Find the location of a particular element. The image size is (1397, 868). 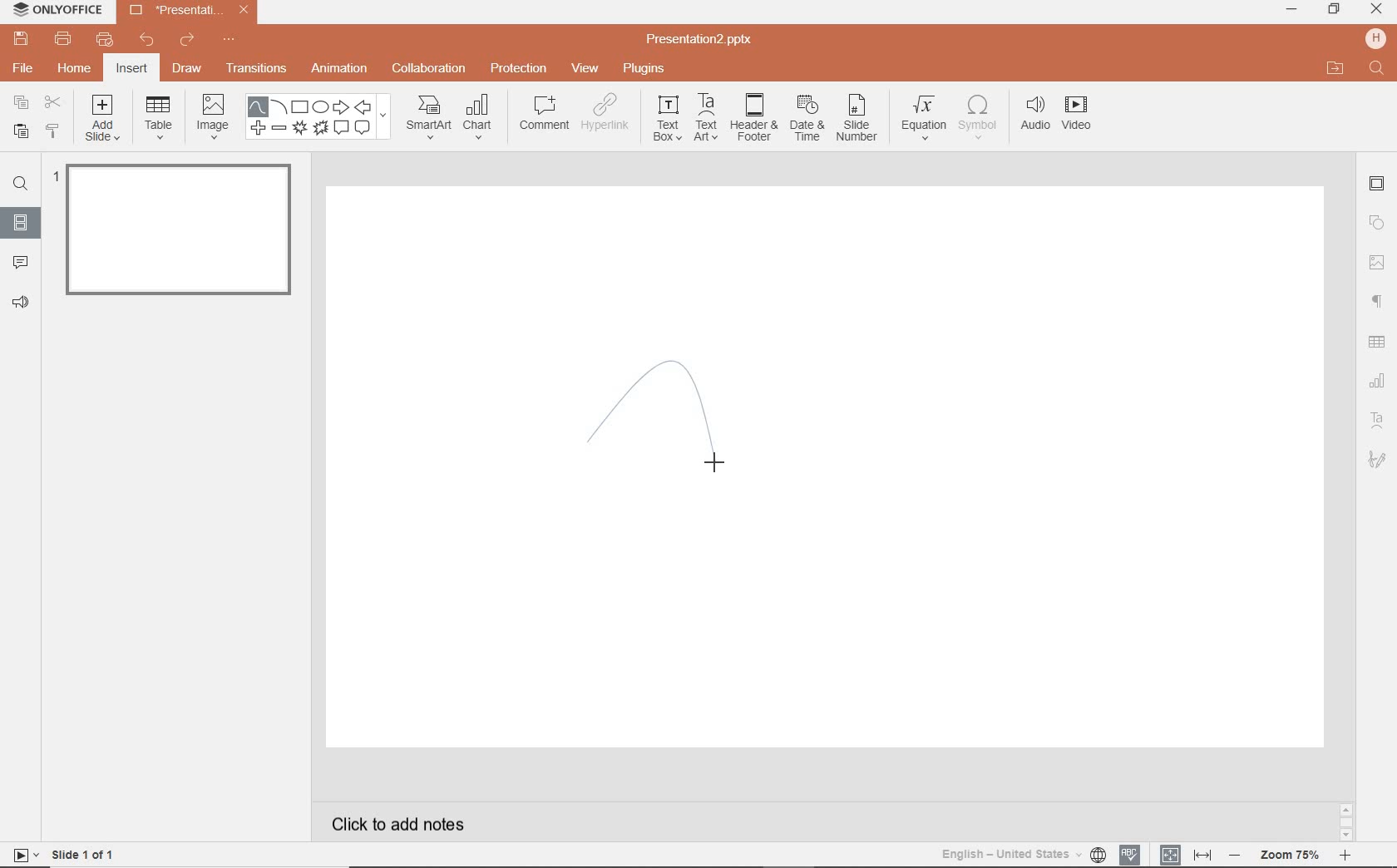

SPELL CHECKING is located at coordinates (1131, 853).